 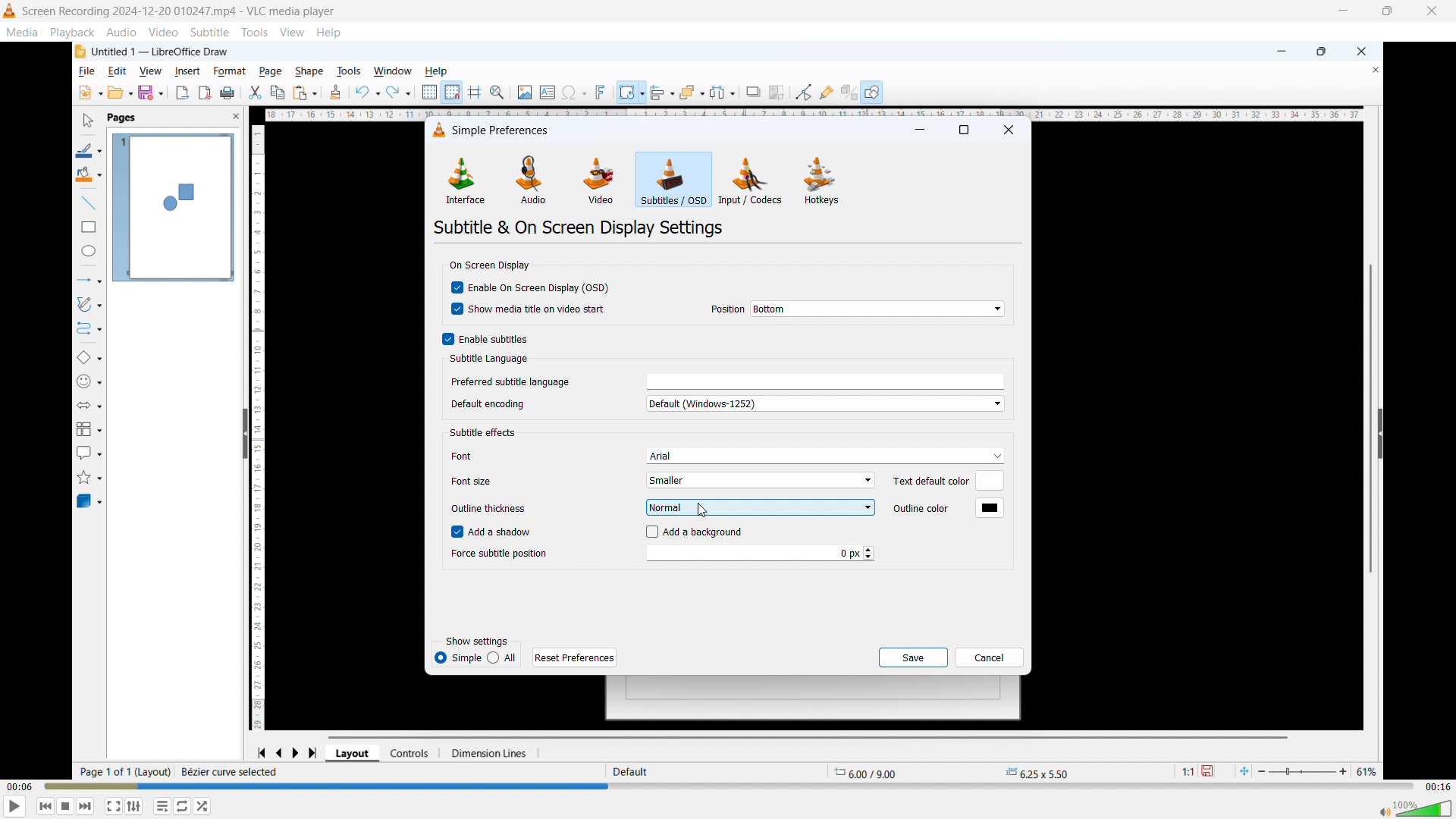 I want to click on Force subtitle position, so click(x=500, y=554).